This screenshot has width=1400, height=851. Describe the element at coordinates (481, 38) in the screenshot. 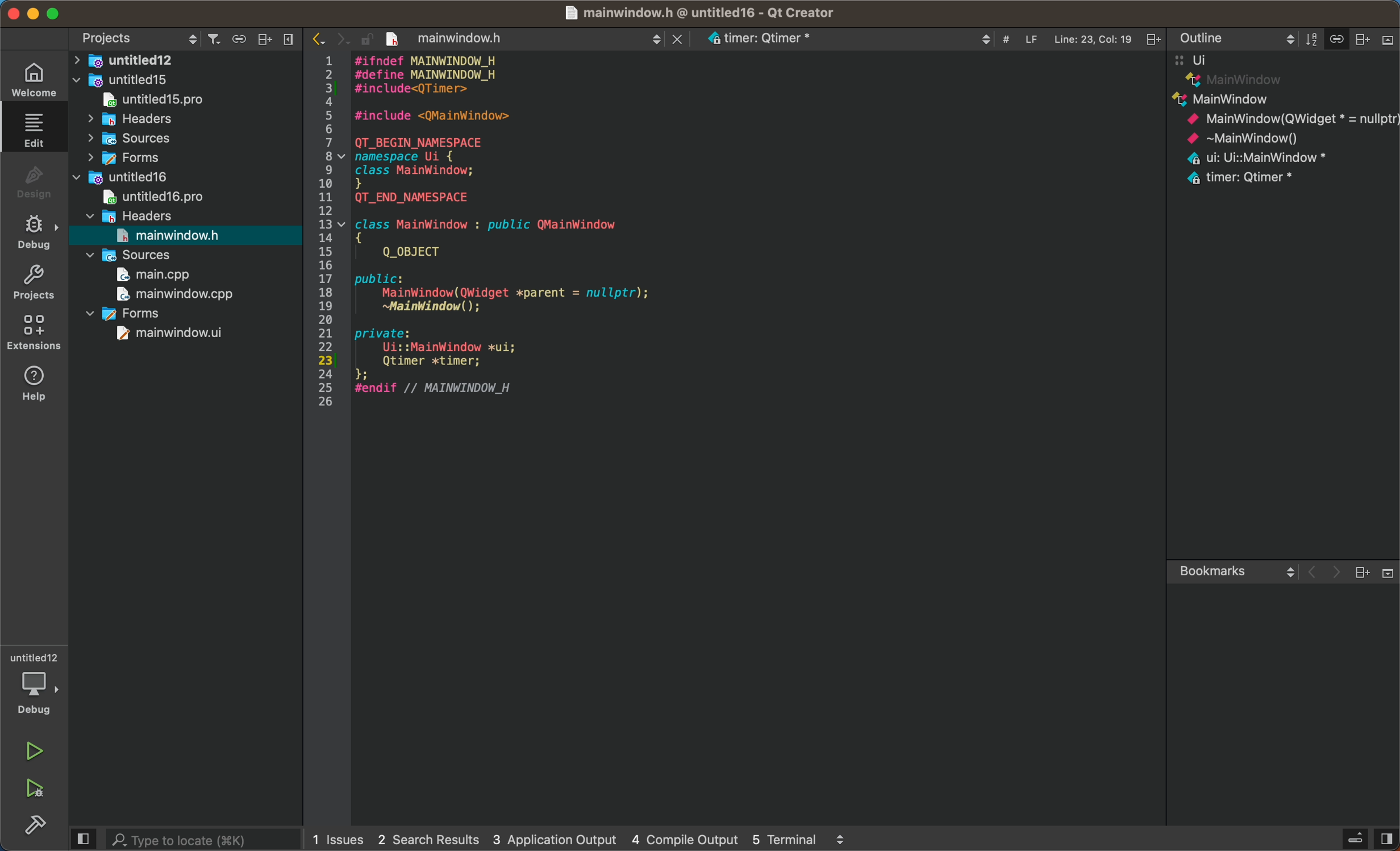

I see `after save` at that location.